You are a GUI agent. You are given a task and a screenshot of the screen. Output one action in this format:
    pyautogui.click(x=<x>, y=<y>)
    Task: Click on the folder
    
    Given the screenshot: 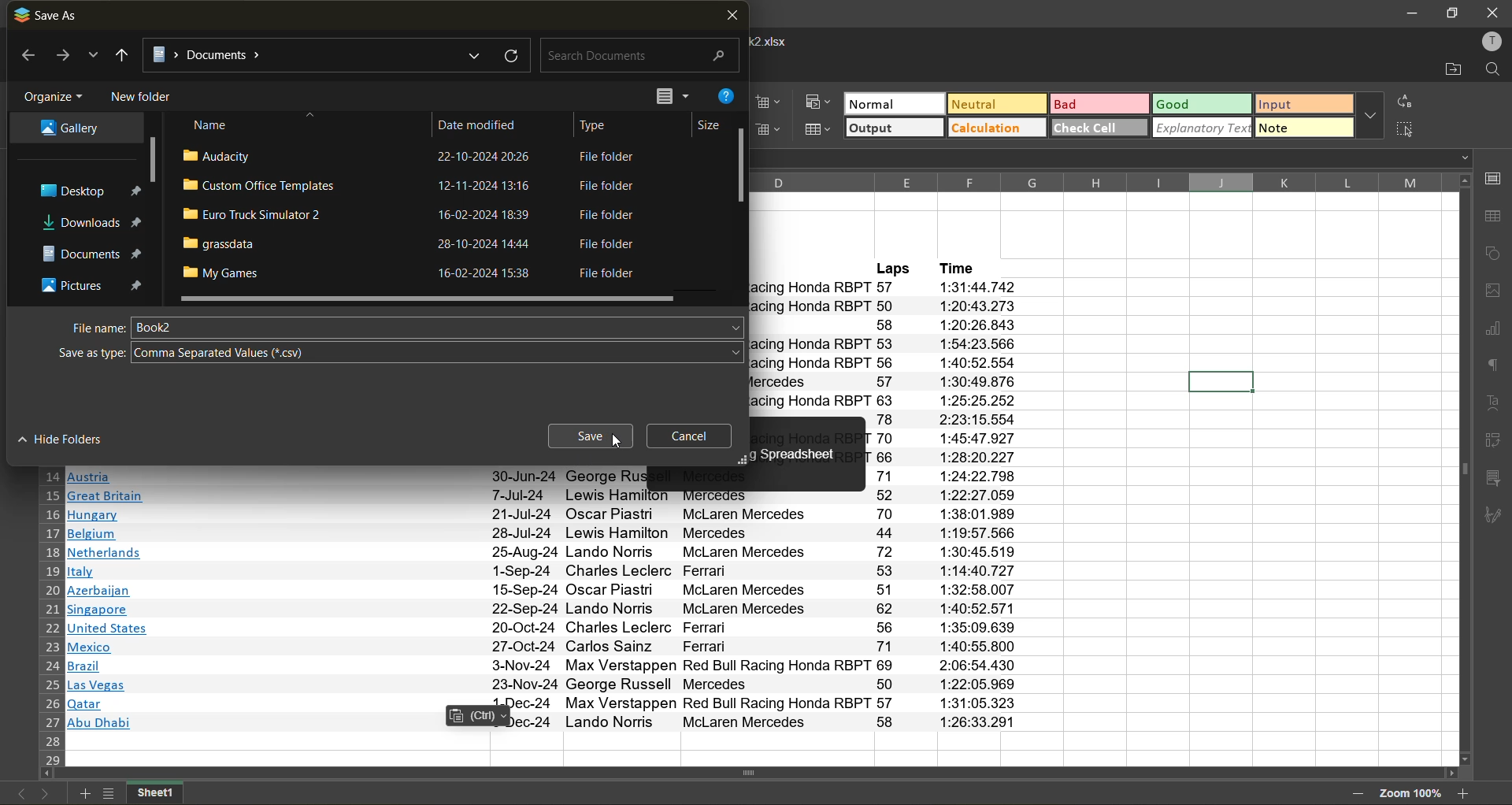 What is the action you would take?
    pyautogui.click(x=88, y=283)
    